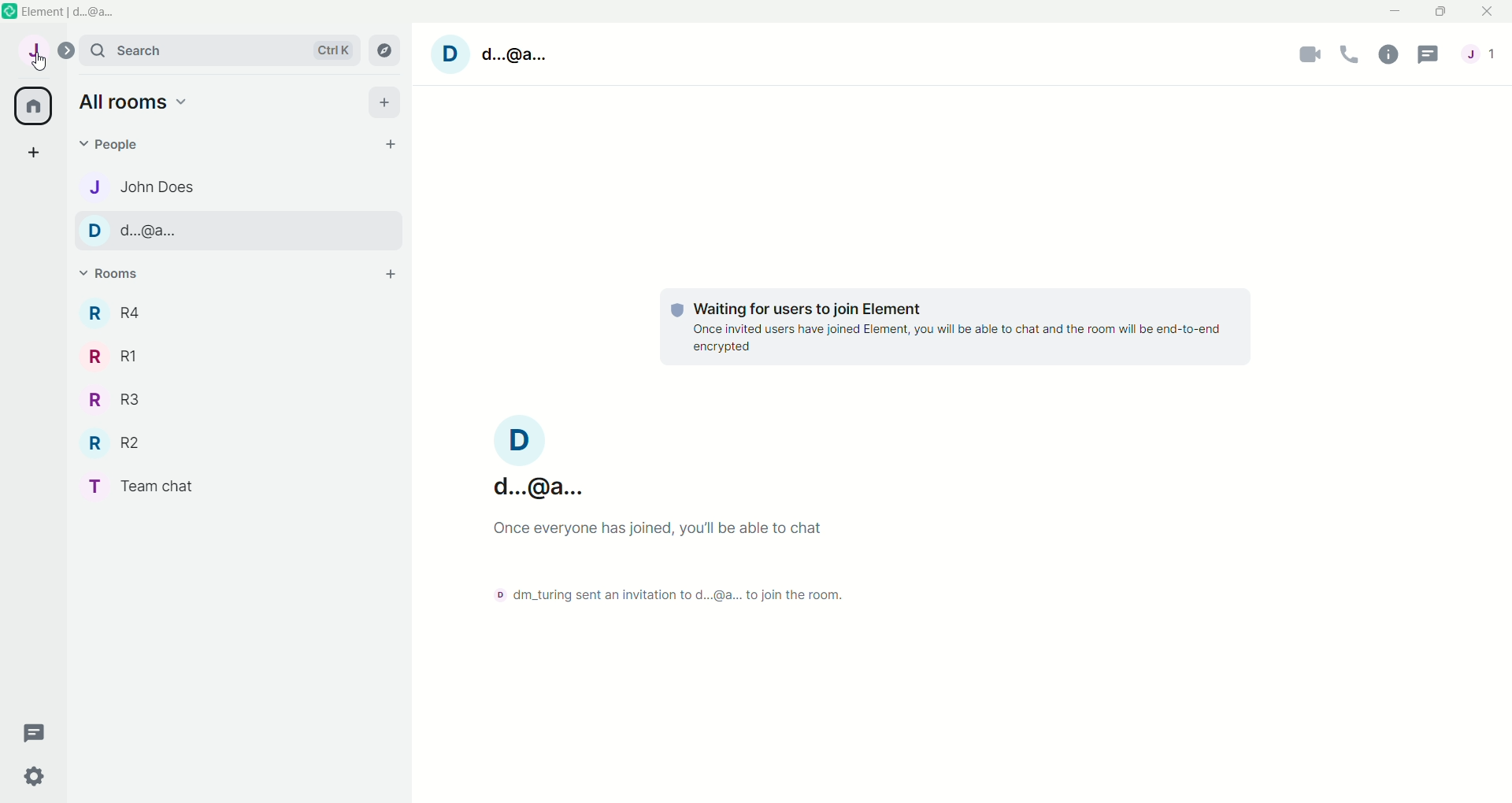  What do you see at coordinates (664, 593) in the screenshot?
I see `dm_turing sent an invitation to d..@a.. to join the room.` at bounding box center [664, 593].